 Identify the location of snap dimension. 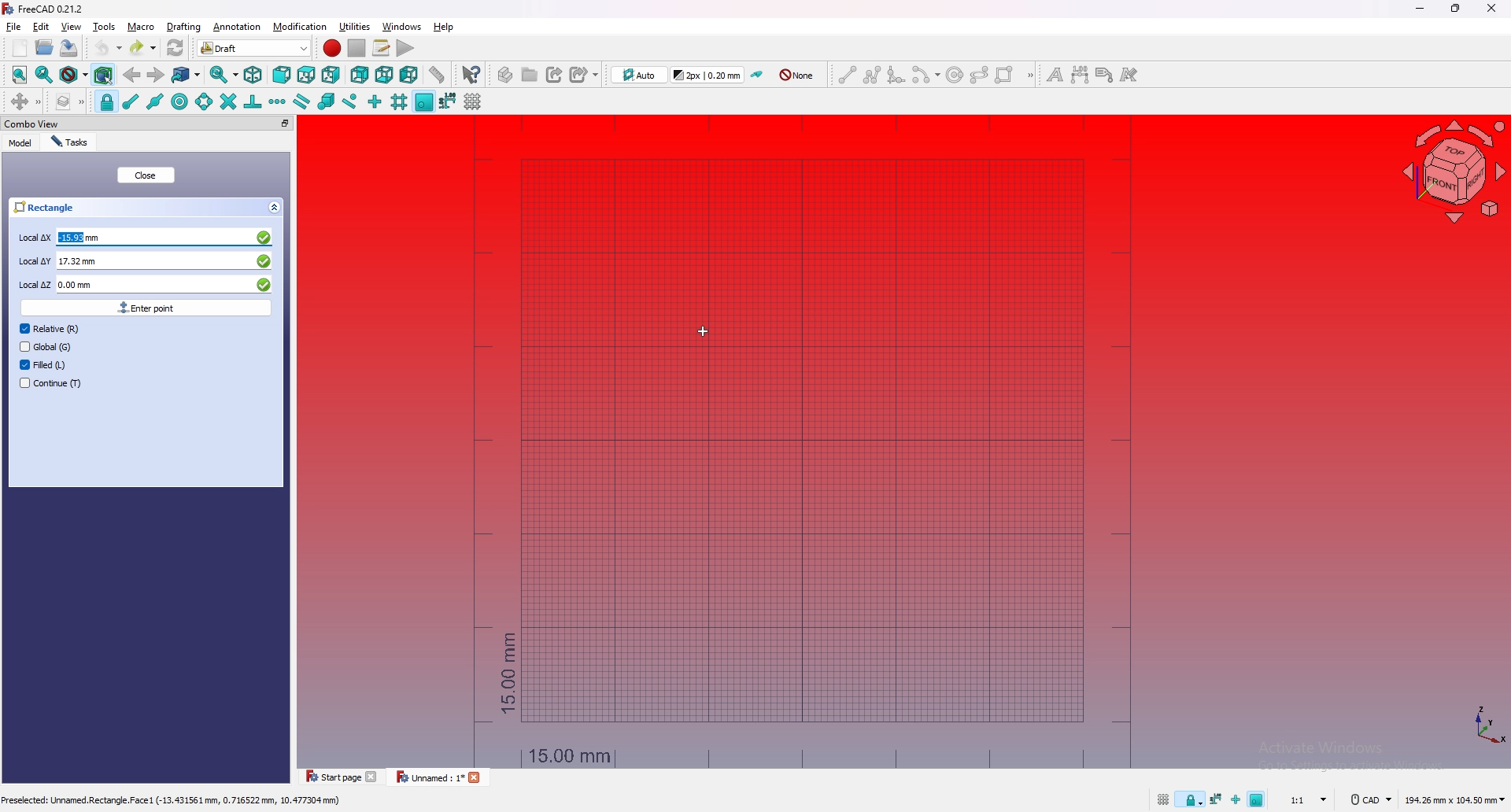
(1216, 798).